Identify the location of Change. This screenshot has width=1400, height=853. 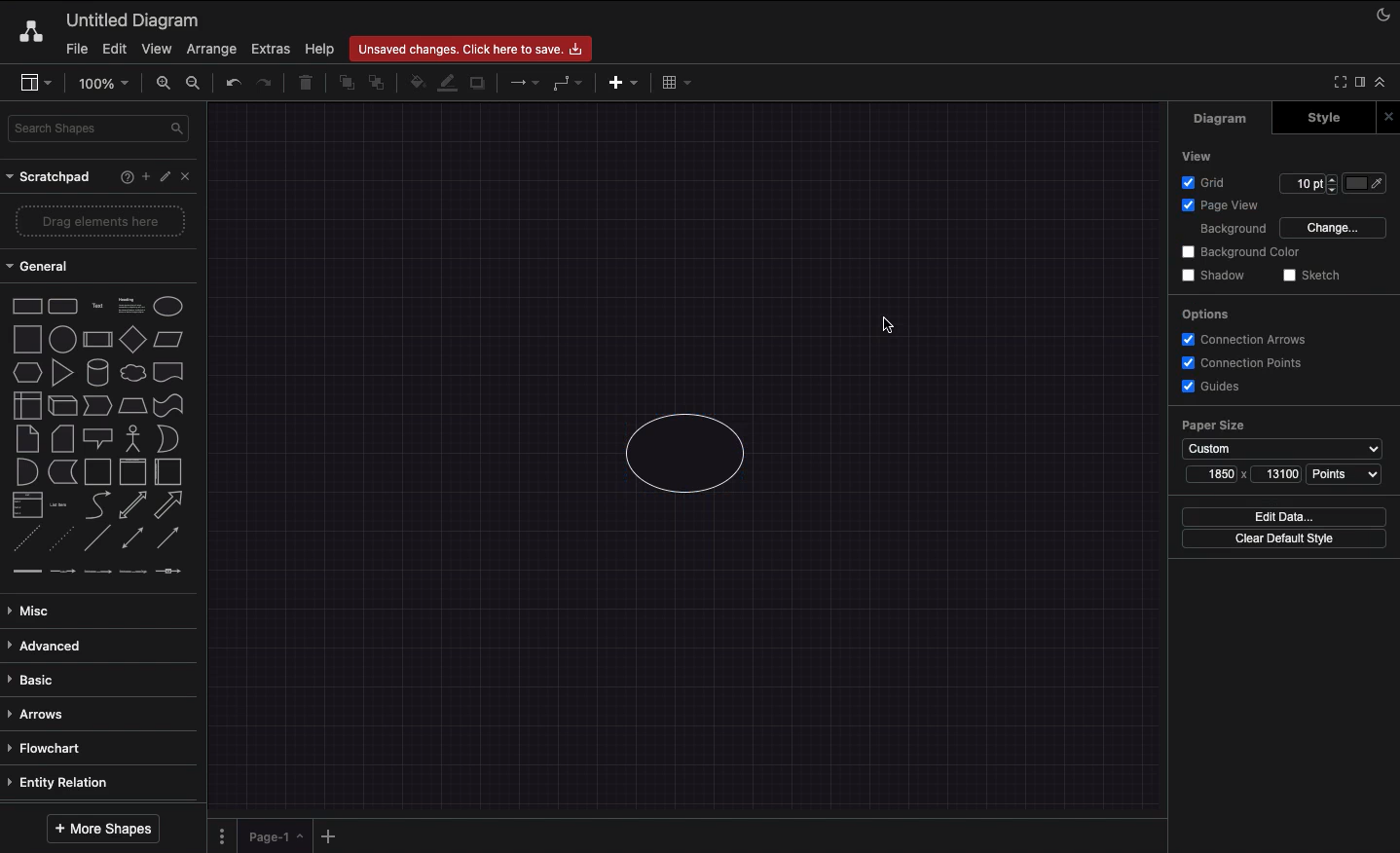
(1332, 226).